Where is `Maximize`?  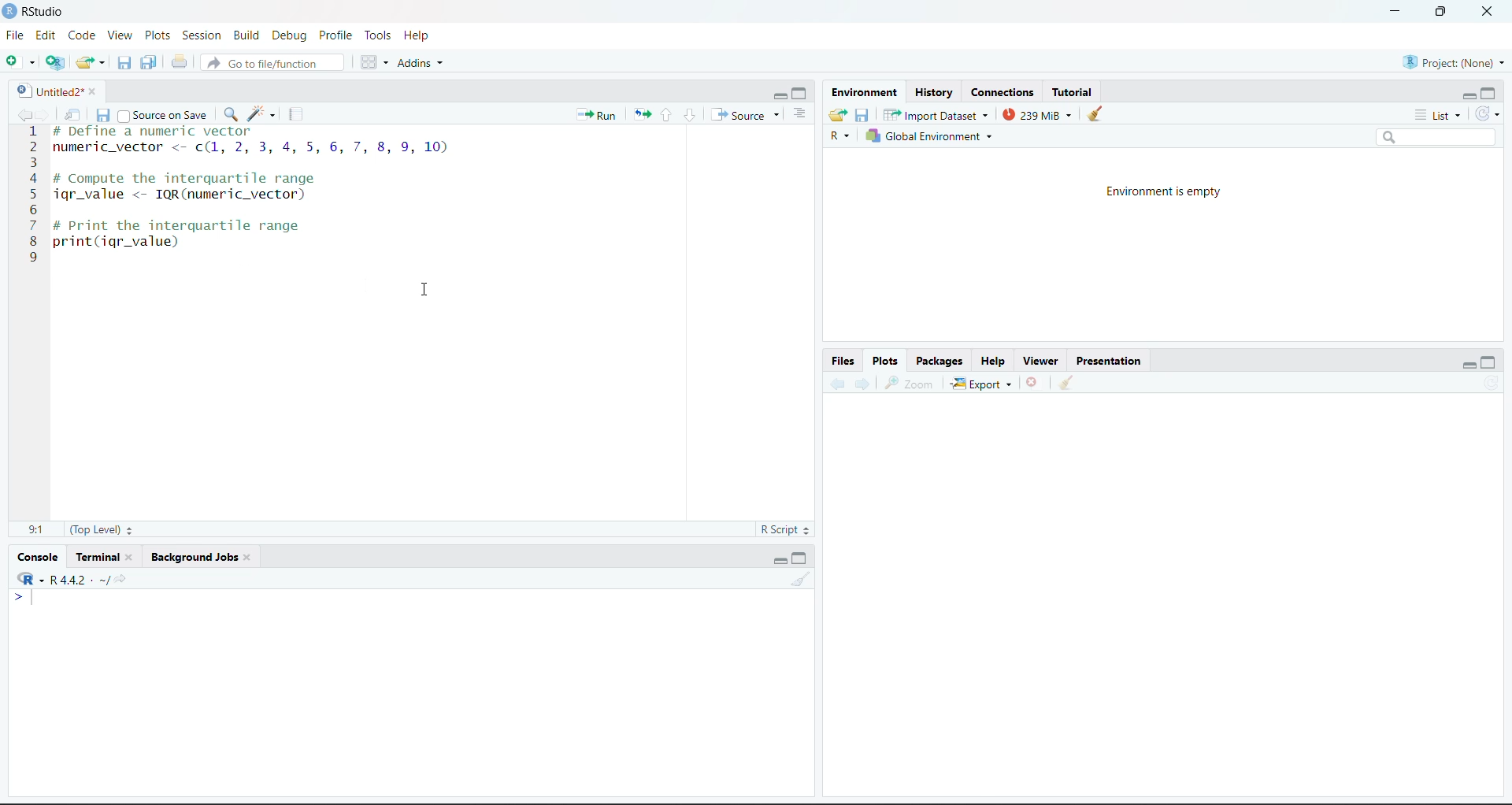 Maximize is located at coordinates (1491, 92).